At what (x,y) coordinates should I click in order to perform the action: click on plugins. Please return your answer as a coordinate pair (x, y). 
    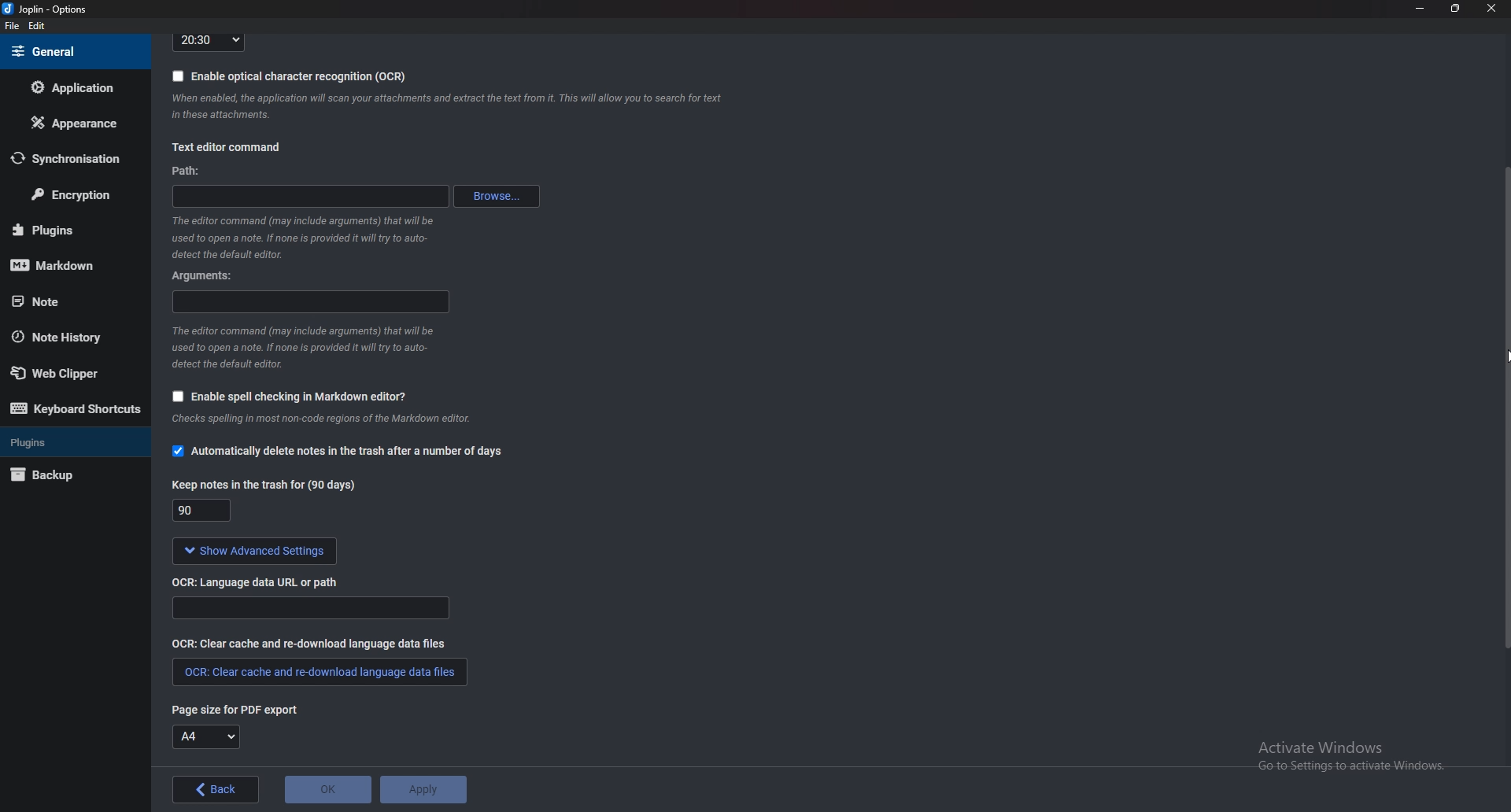
    Looking at the image, I should click on (68, 230).